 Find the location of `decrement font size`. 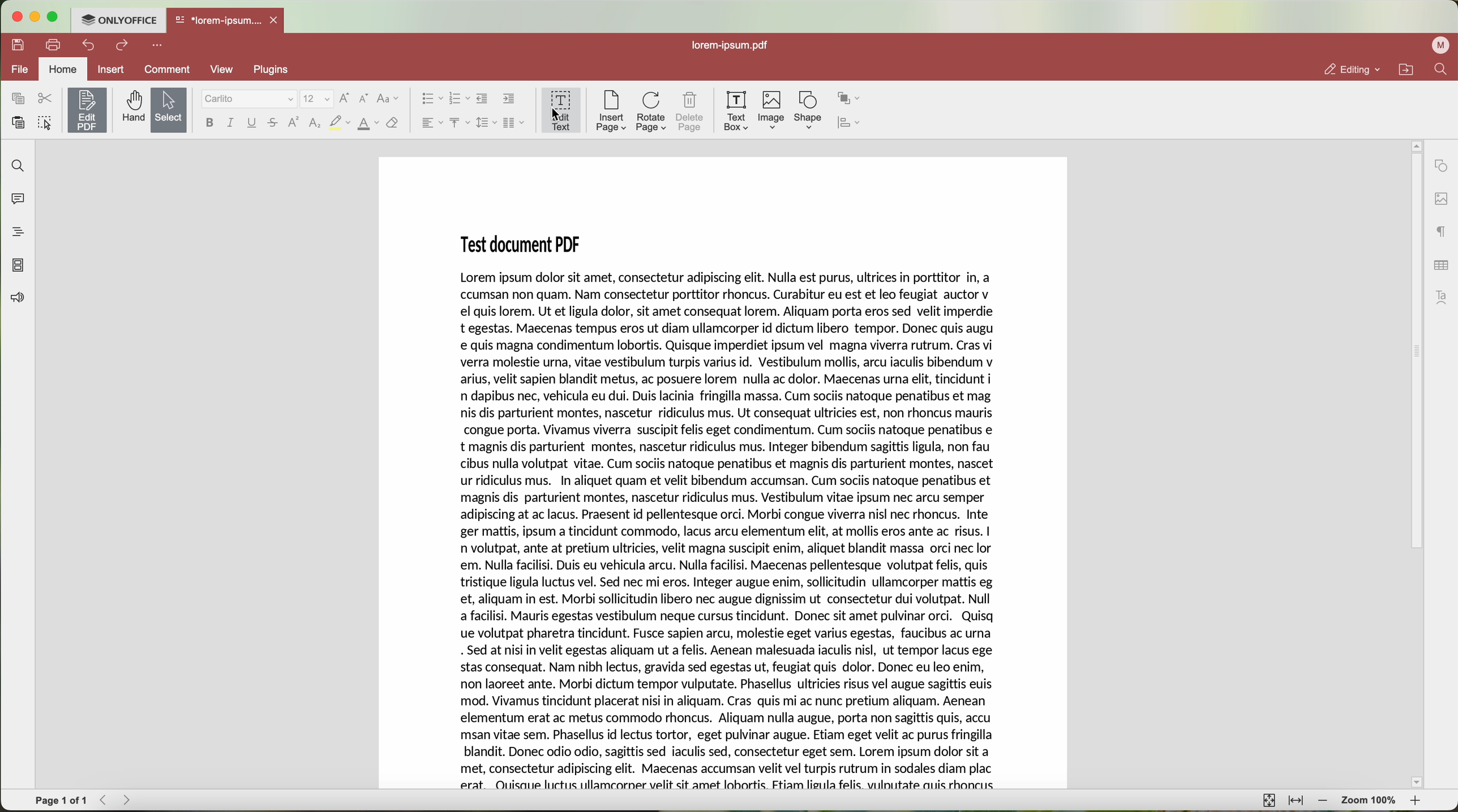

decrement font size is located at coordinates (365, 99).